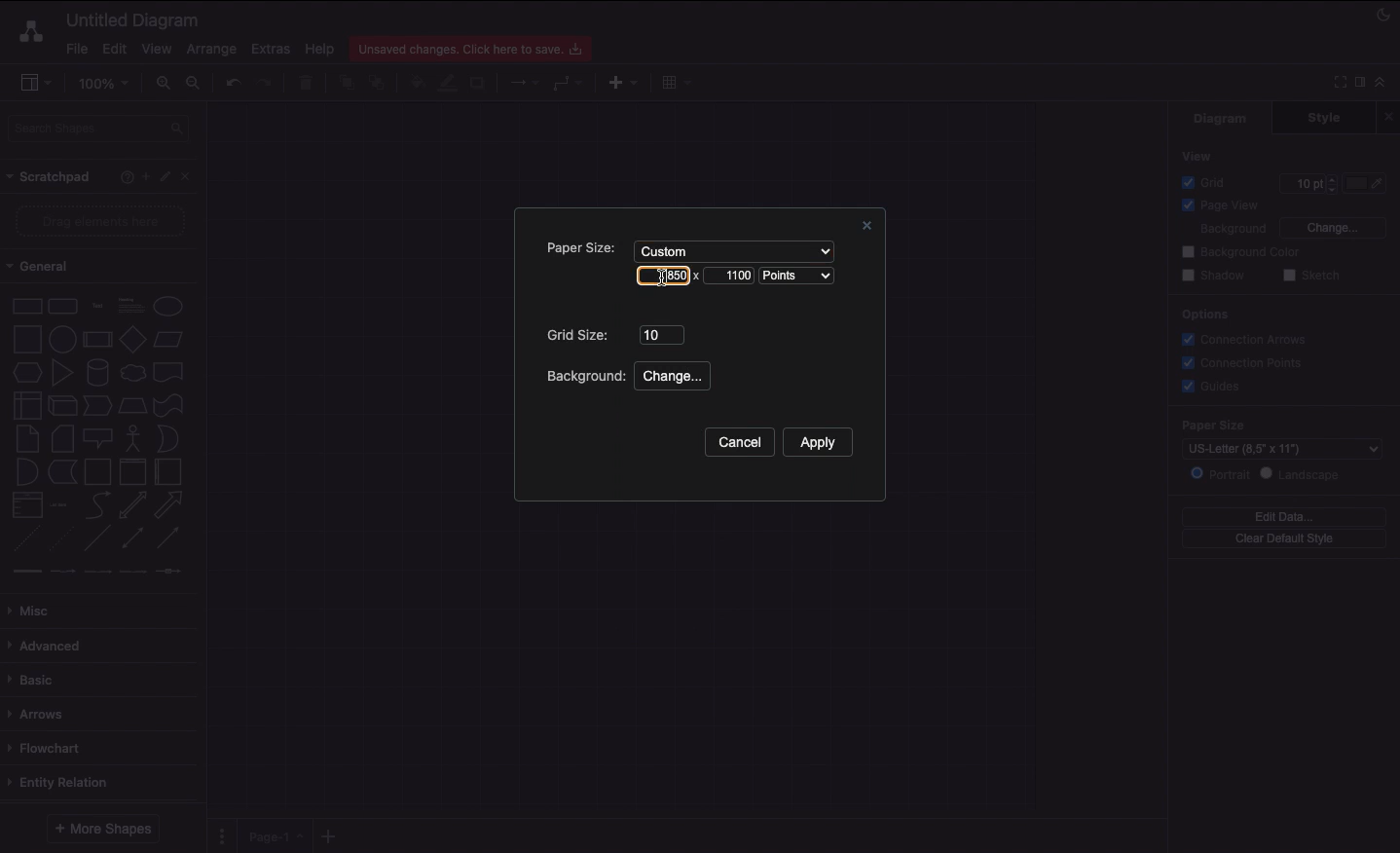  Describe the element at coordinates (1284, 516) in the screenshot. I see `Edit data` at that location.